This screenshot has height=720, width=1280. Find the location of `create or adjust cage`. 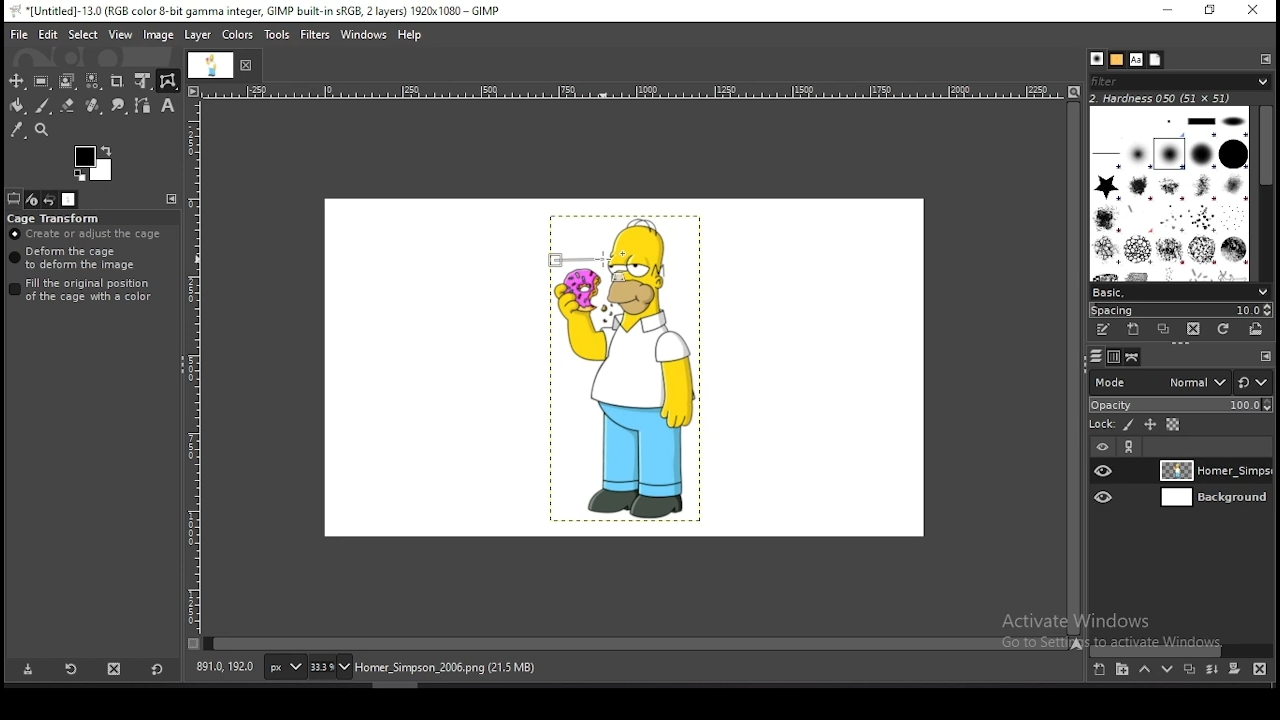

create or adjust cage is located at coordinates (87, 234).